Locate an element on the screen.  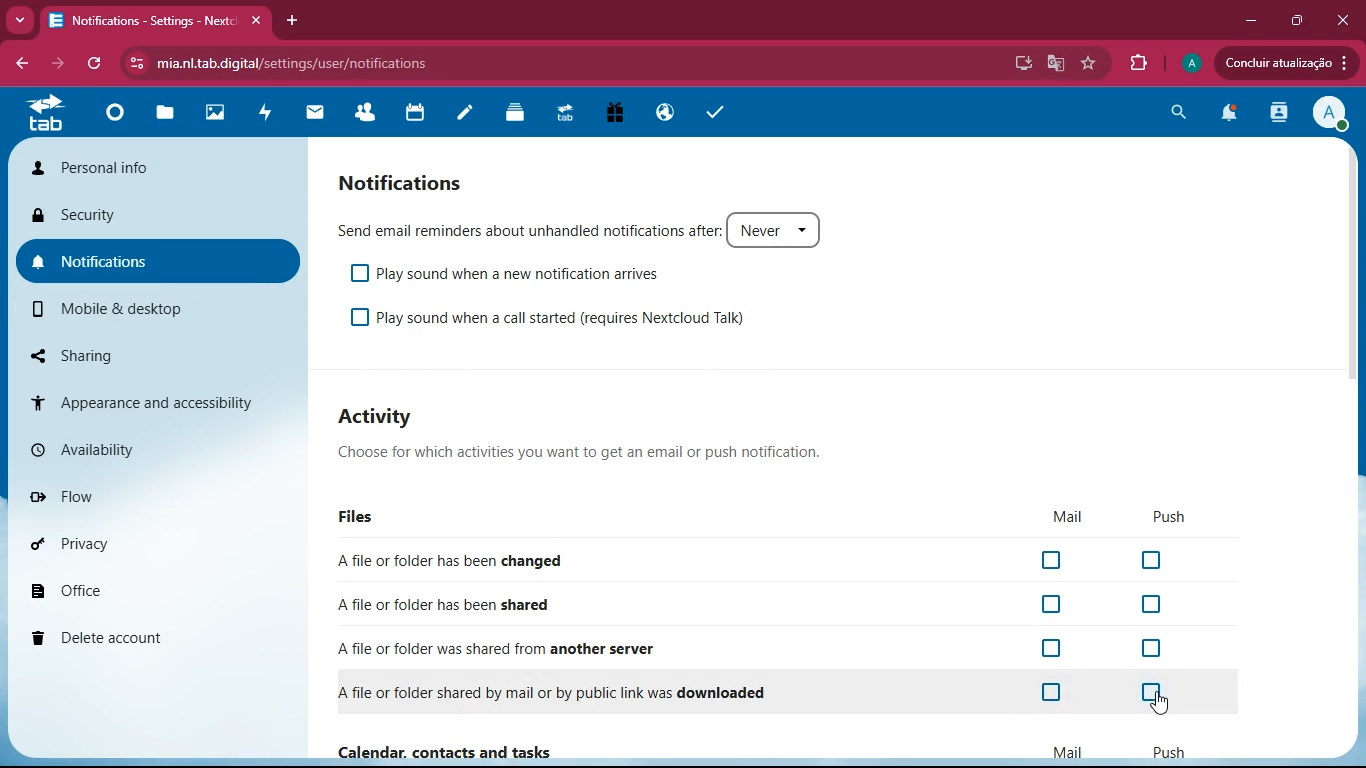
mobile & desktop is located at coordinates (124, 307).